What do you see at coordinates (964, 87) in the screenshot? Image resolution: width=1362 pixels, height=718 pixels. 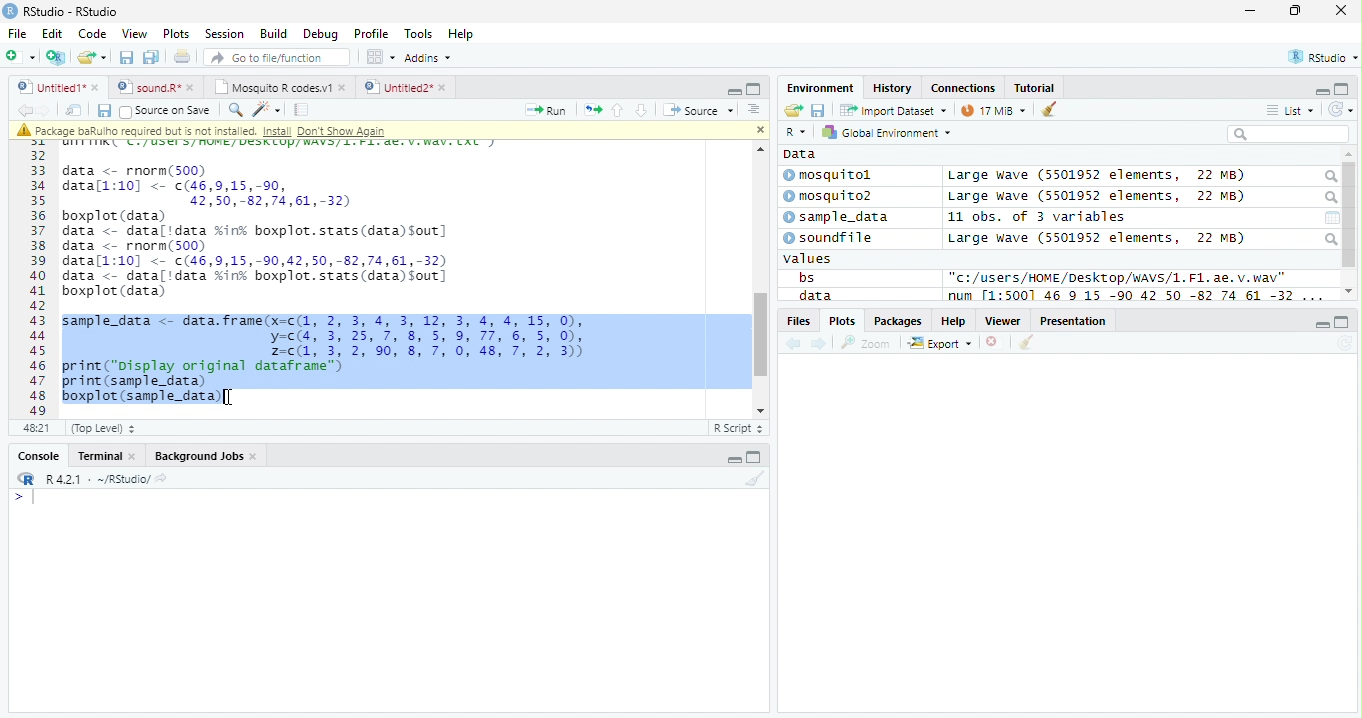 I see `Connections` at bounding box center [964, 87].